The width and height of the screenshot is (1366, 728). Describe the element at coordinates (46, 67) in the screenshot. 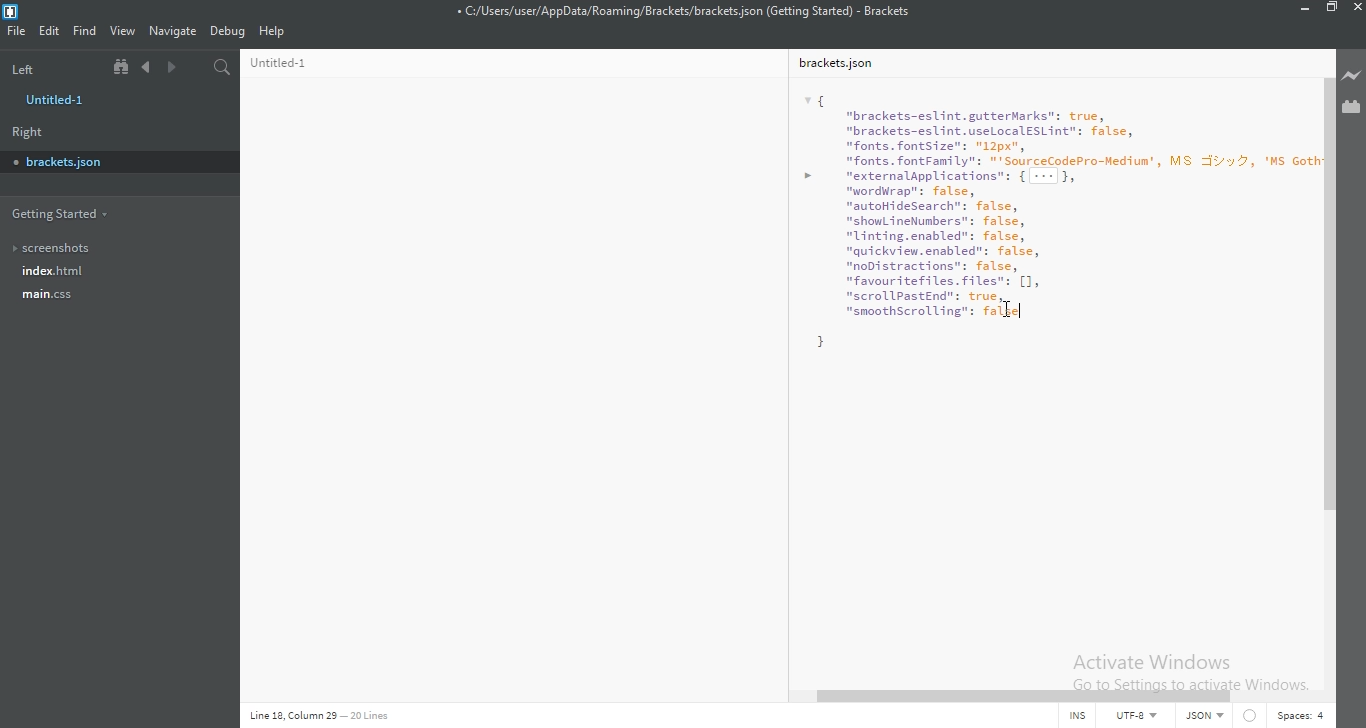

I see `Left` at that location.